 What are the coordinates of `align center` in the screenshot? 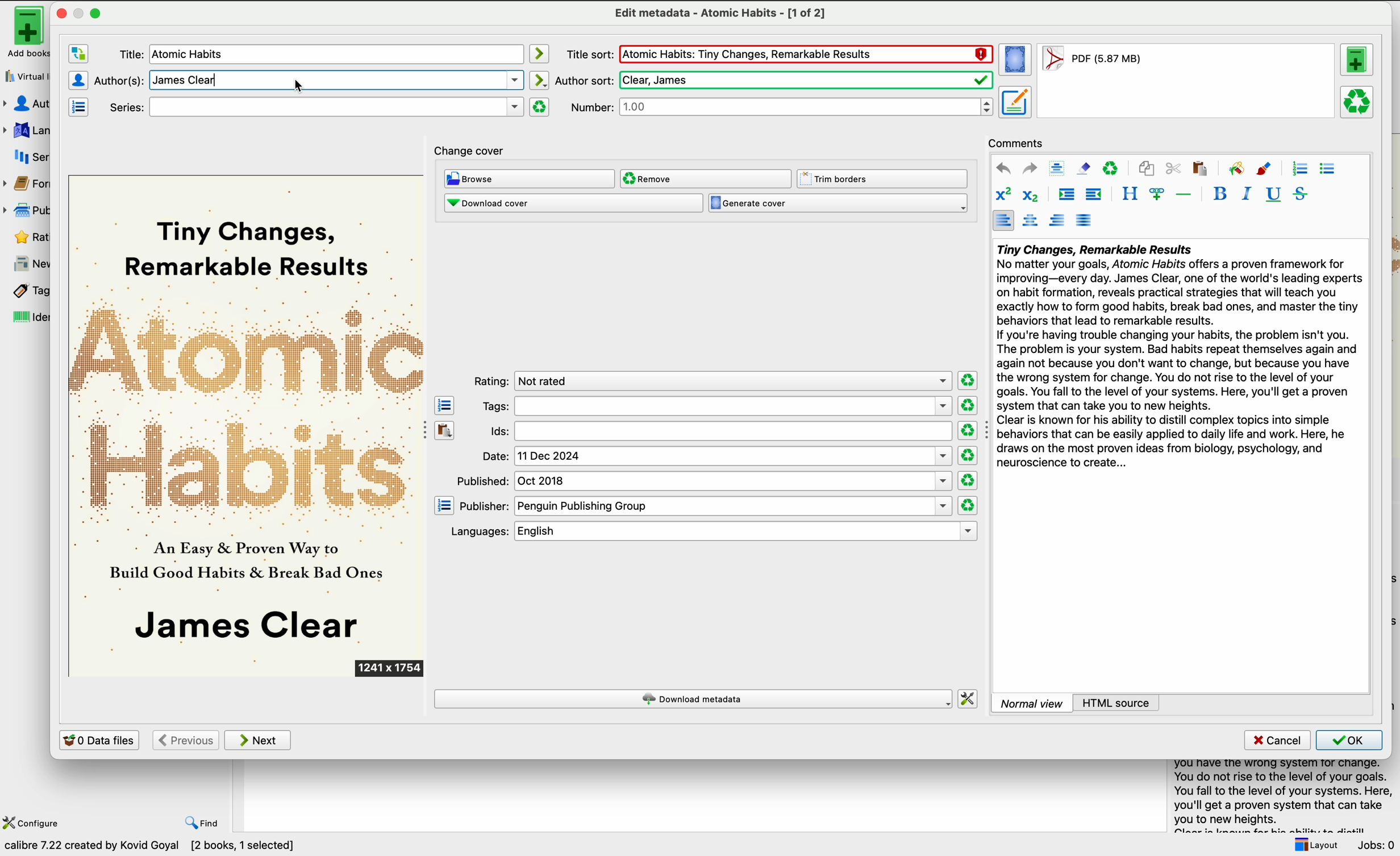 It's located at (1030, 221).